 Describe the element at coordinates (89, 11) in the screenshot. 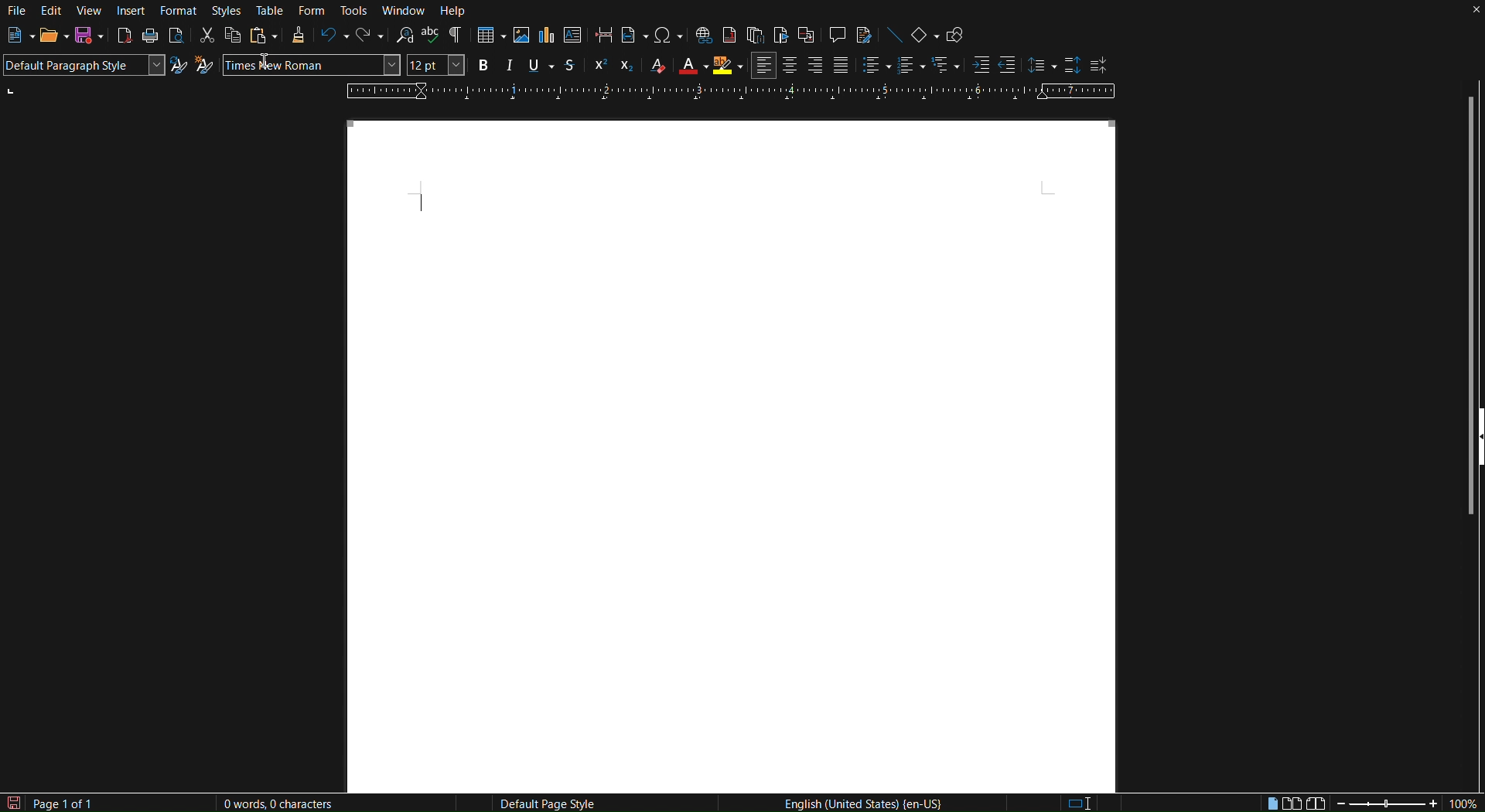

I see `View` at that location.